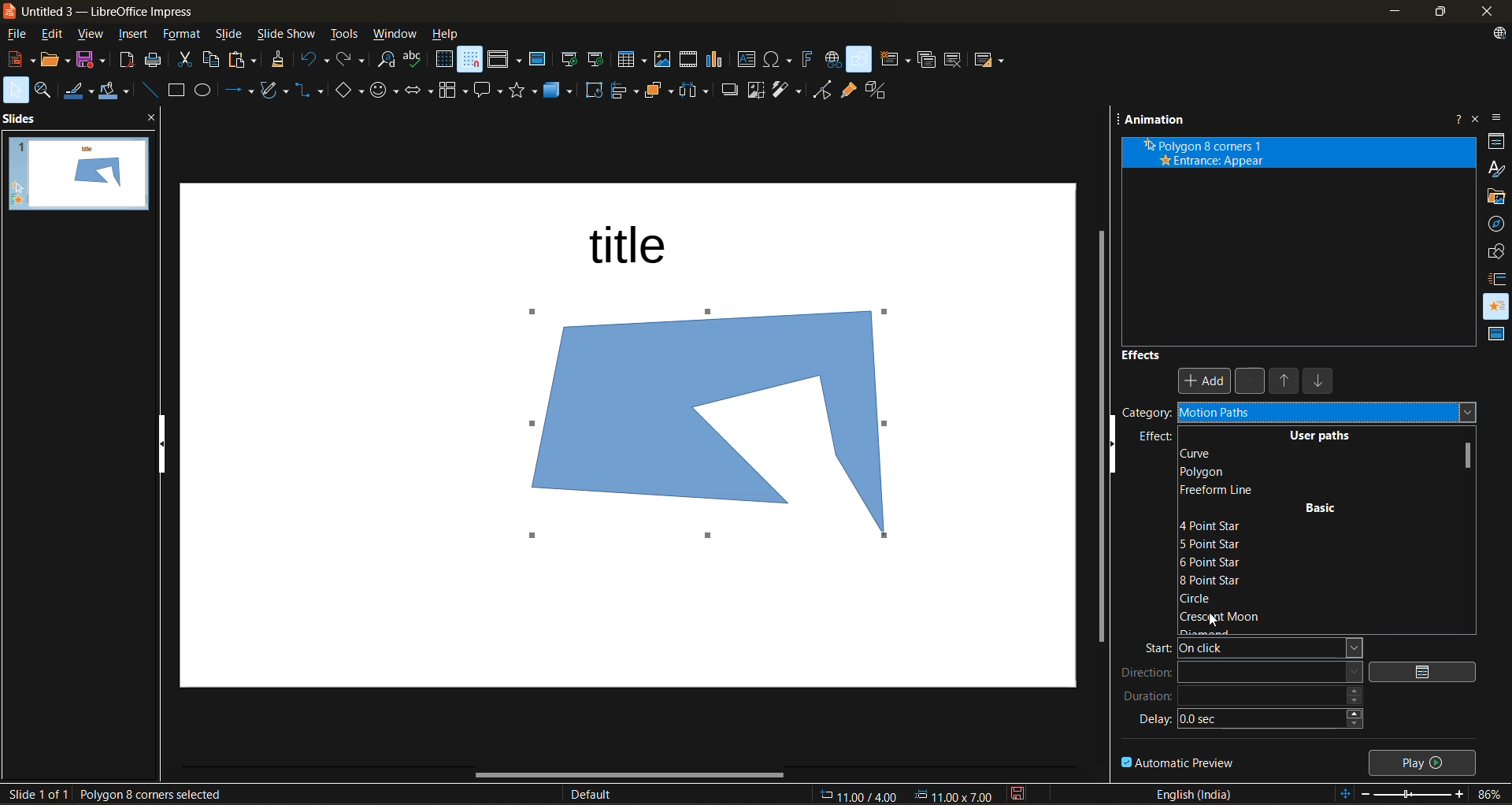  I want to click on polygon, so click(1199, 473).